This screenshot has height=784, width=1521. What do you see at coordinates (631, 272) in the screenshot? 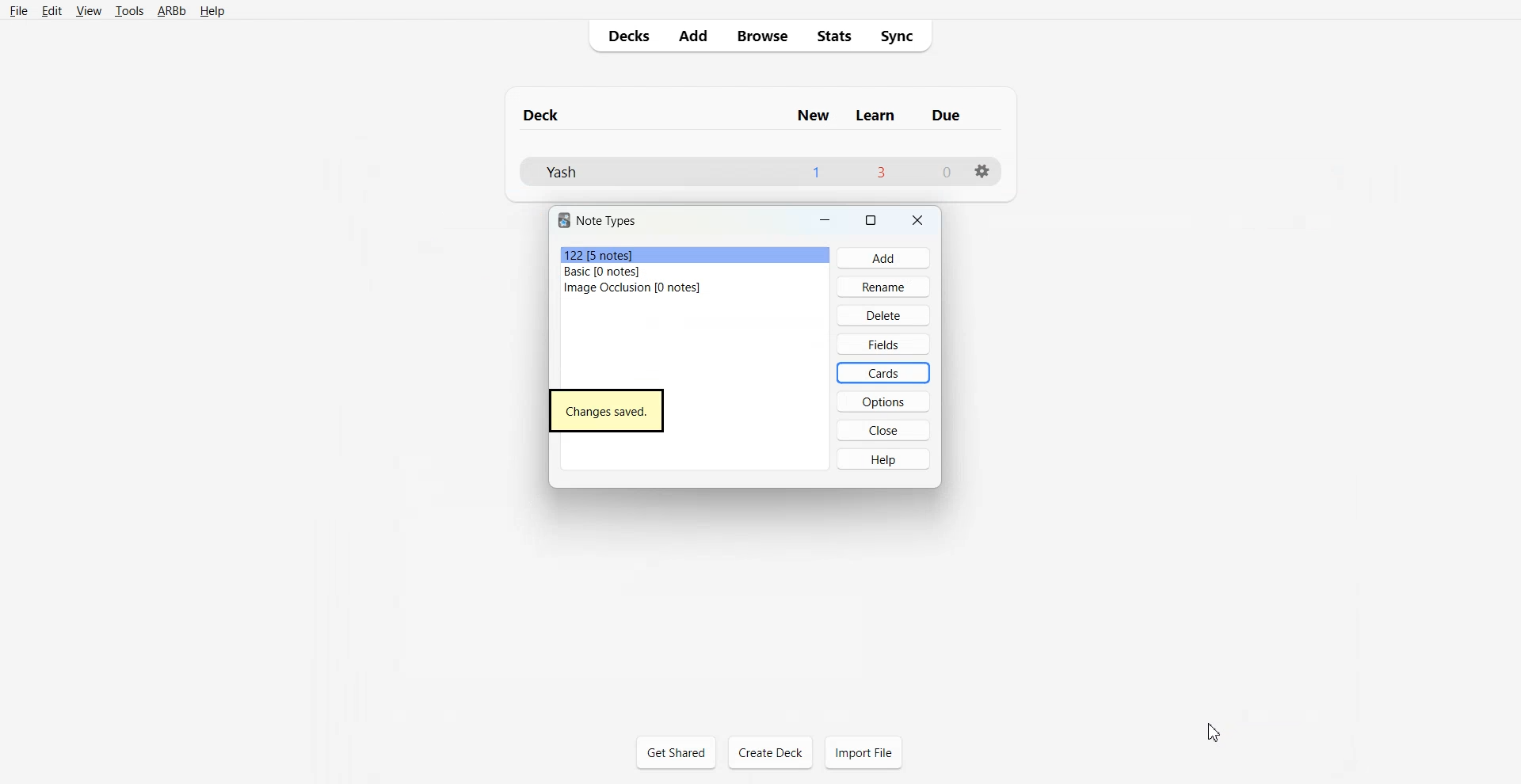
I see `note details` at bounding box center [631, 272].